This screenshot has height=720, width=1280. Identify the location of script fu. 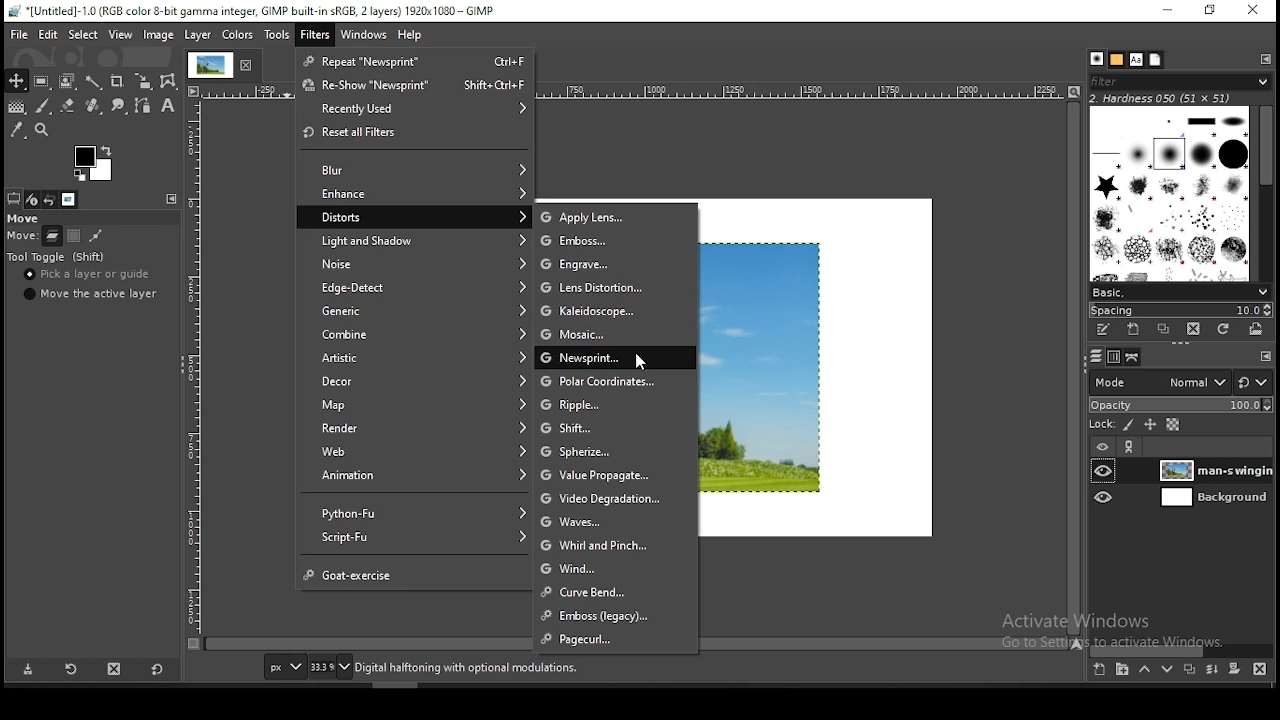
(414, 537).